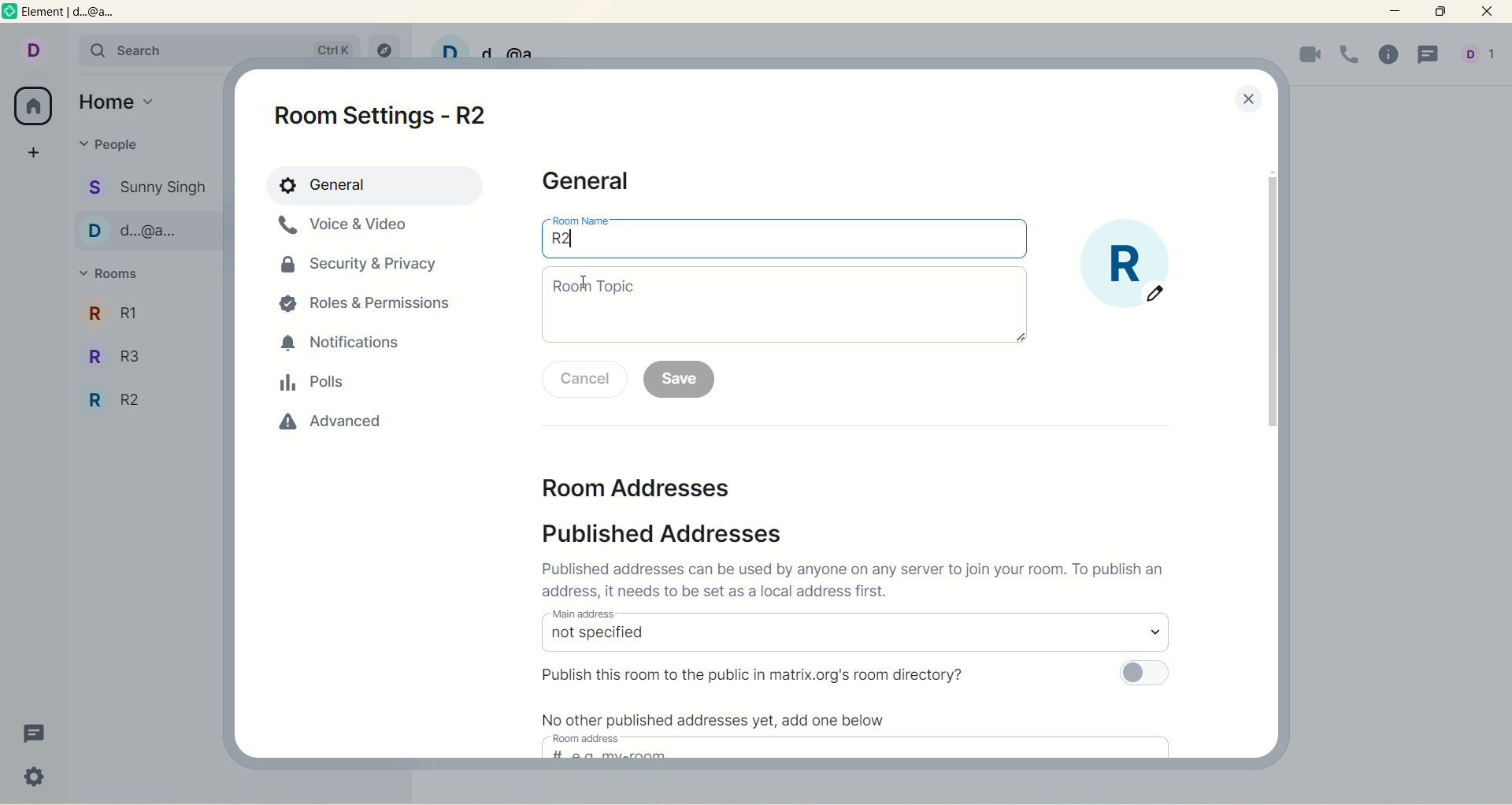 This screenshot has width=1512, height=805. Describe the element at coordinates (391, 114) in the screenshot. I see `room settings` at that location.